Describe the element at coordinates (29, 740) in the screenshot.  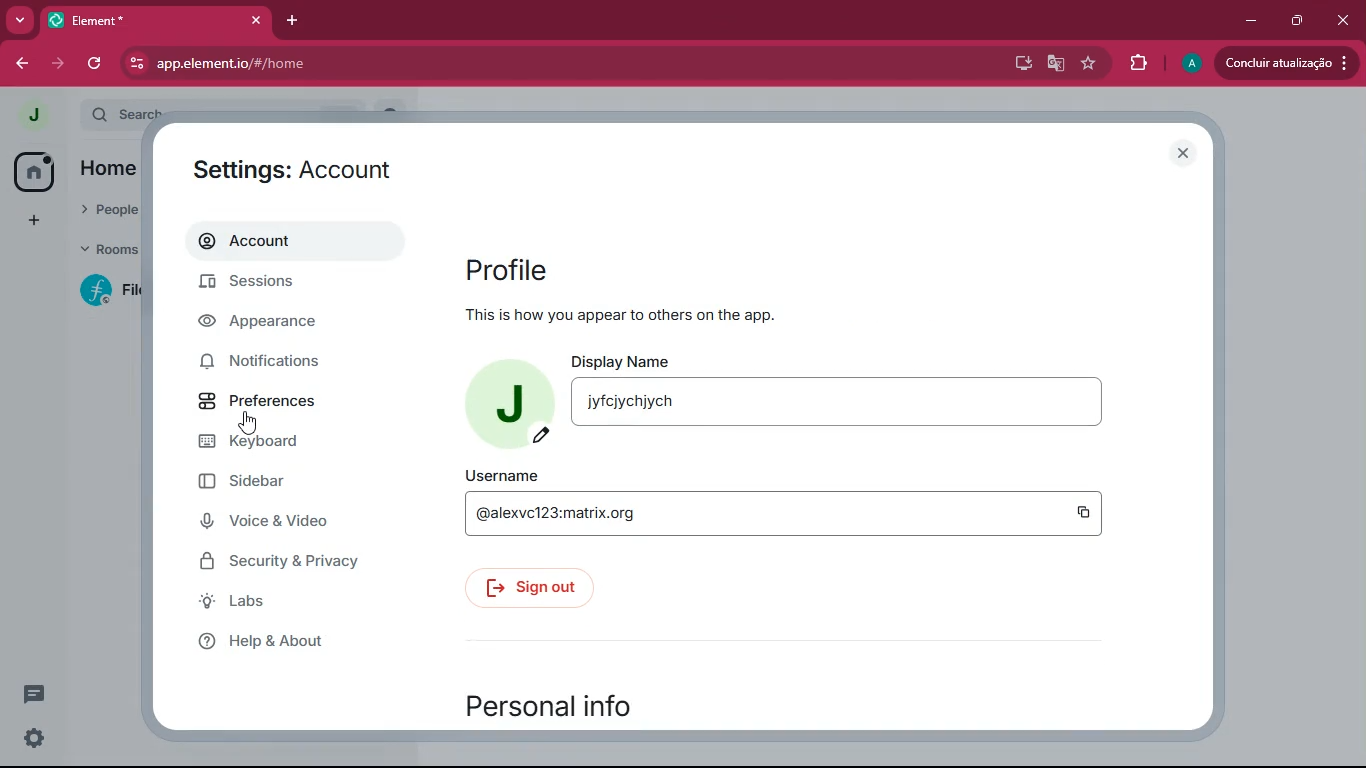
I see `settings` at that location.